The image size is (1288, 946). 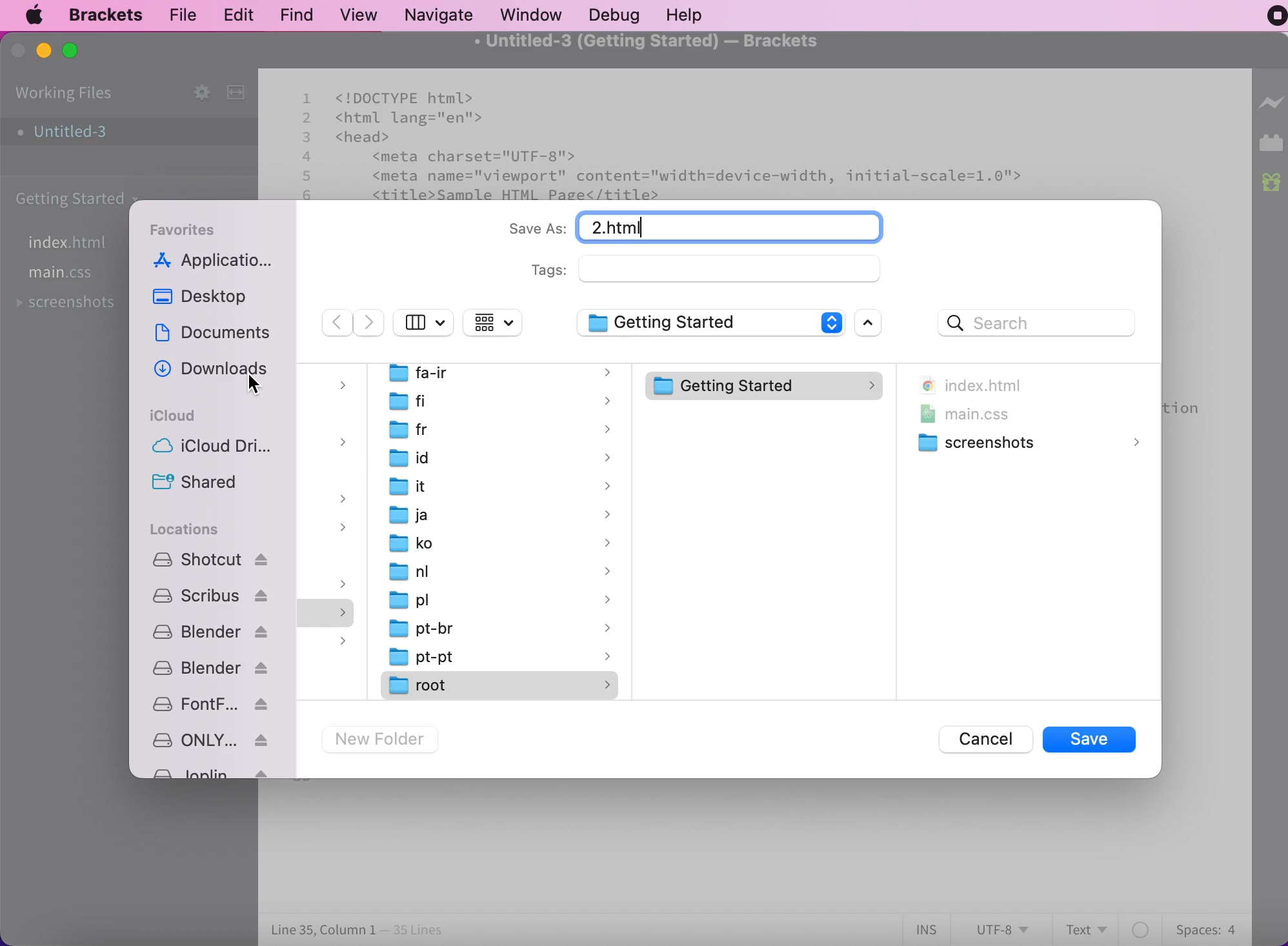 I want to click on pt-pt, so click(x=500, y=655).